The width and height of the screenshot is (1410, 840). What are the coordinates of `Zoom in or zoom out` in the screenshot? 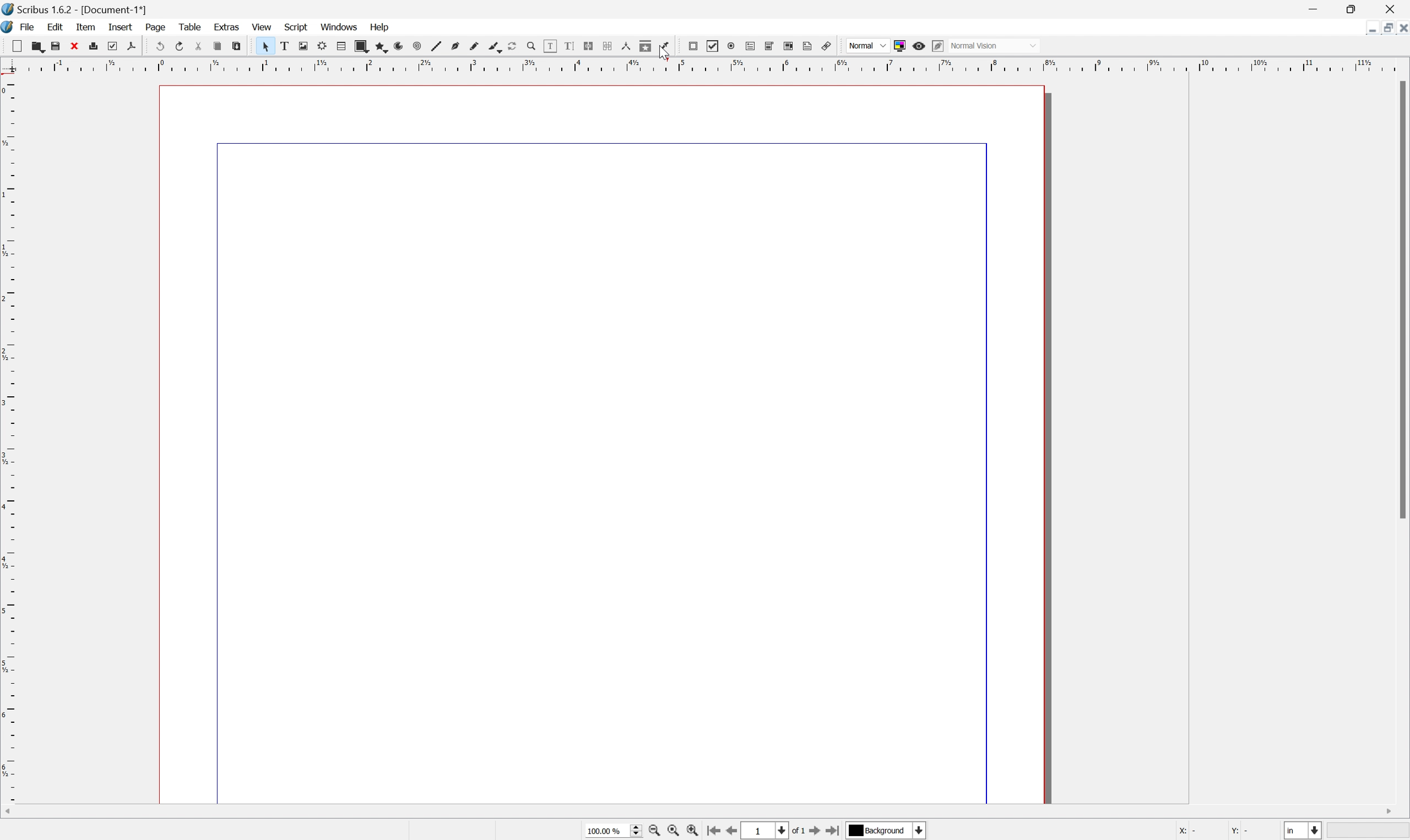 It's located at (531, 47).